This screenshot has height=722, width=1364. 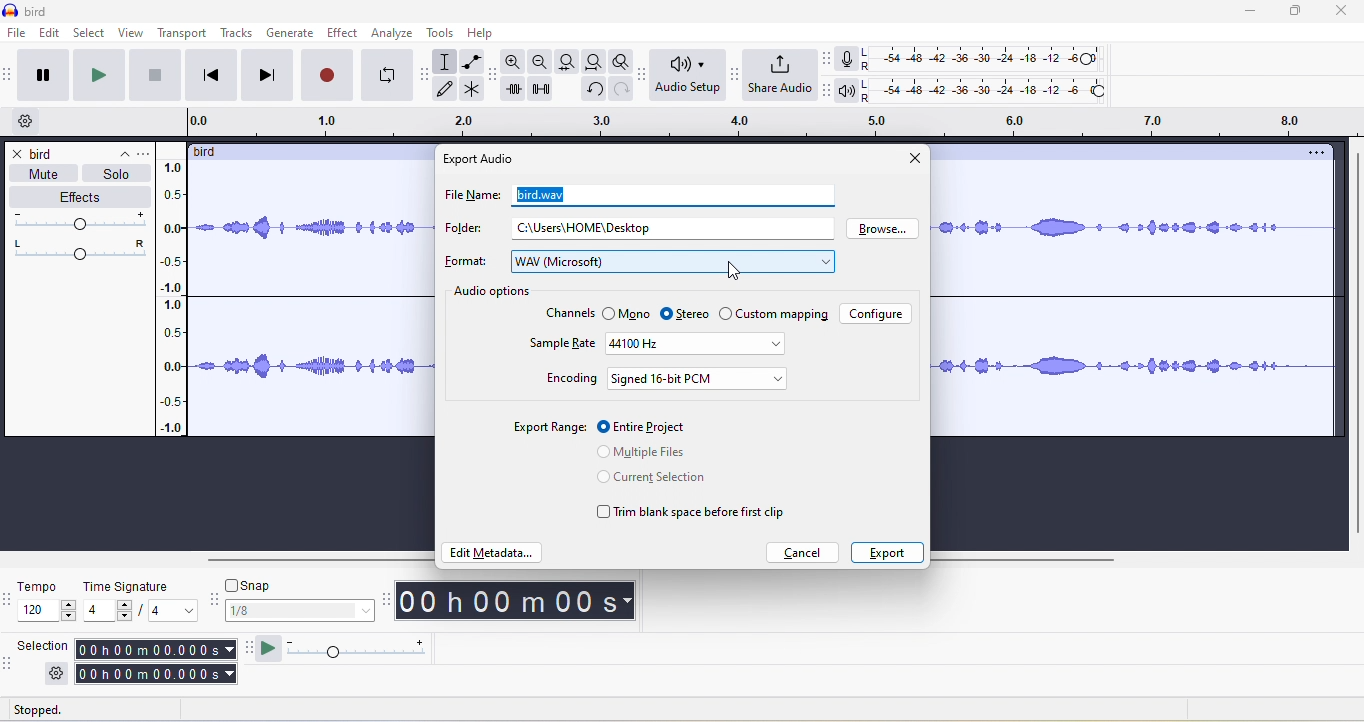 What do you see at coordinates (1314, 153) in the screenshot?
I see `option` at bounding box center [1314, 153].